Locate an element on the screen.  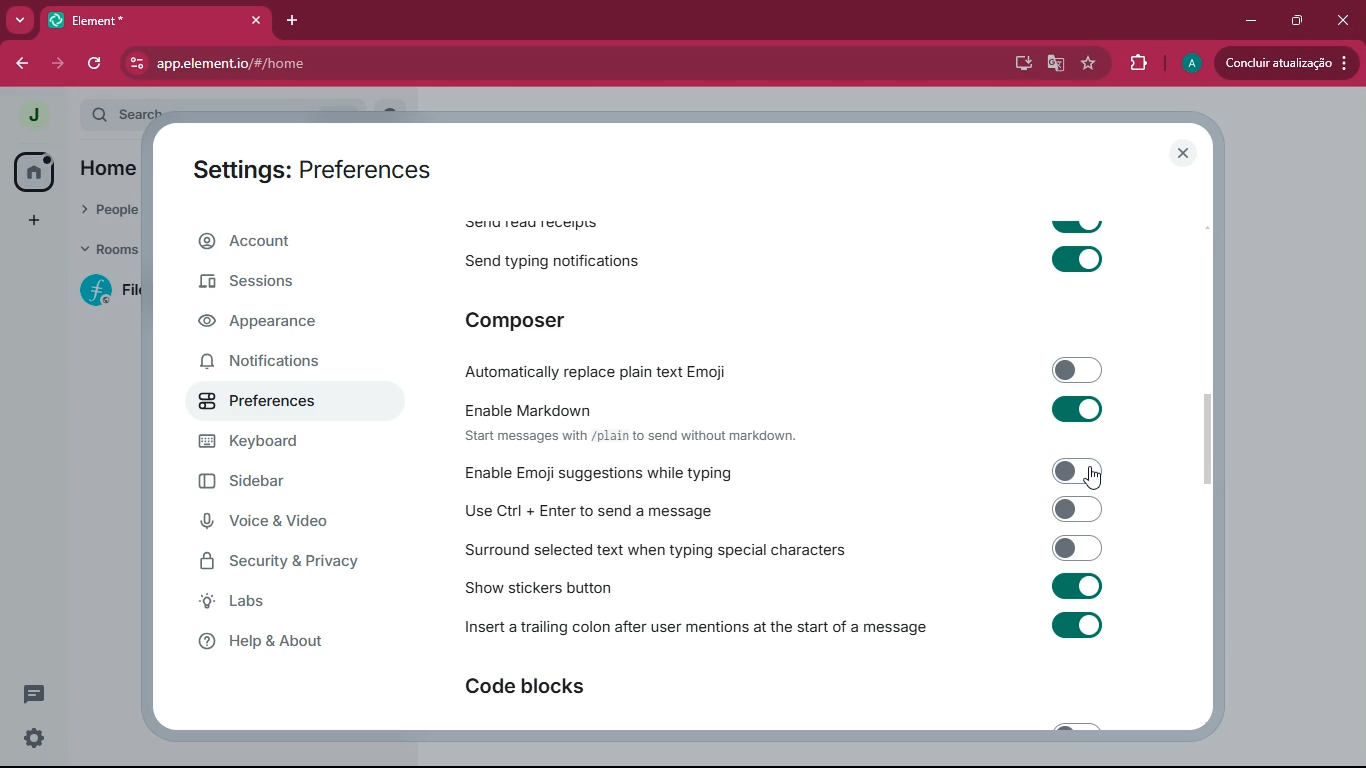
url is located at coordinates (300, 64).